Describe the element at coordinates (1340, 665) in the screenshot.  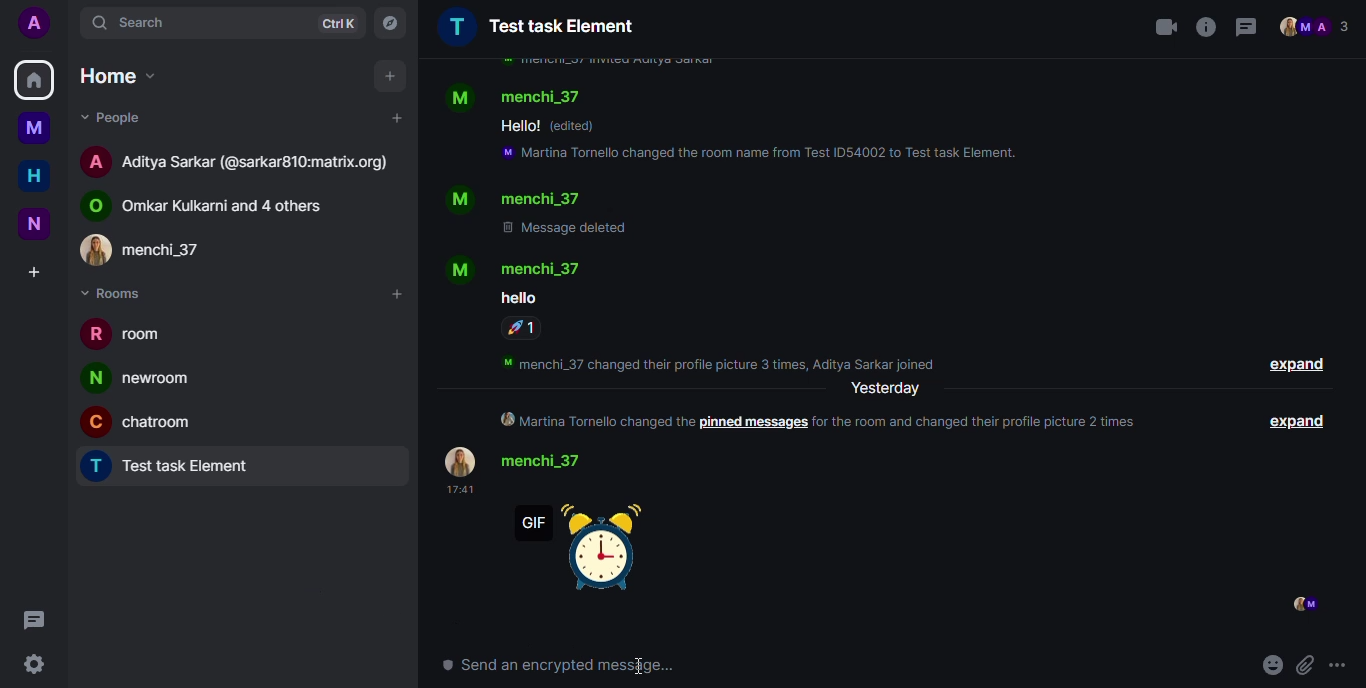
I see `more` at that location.